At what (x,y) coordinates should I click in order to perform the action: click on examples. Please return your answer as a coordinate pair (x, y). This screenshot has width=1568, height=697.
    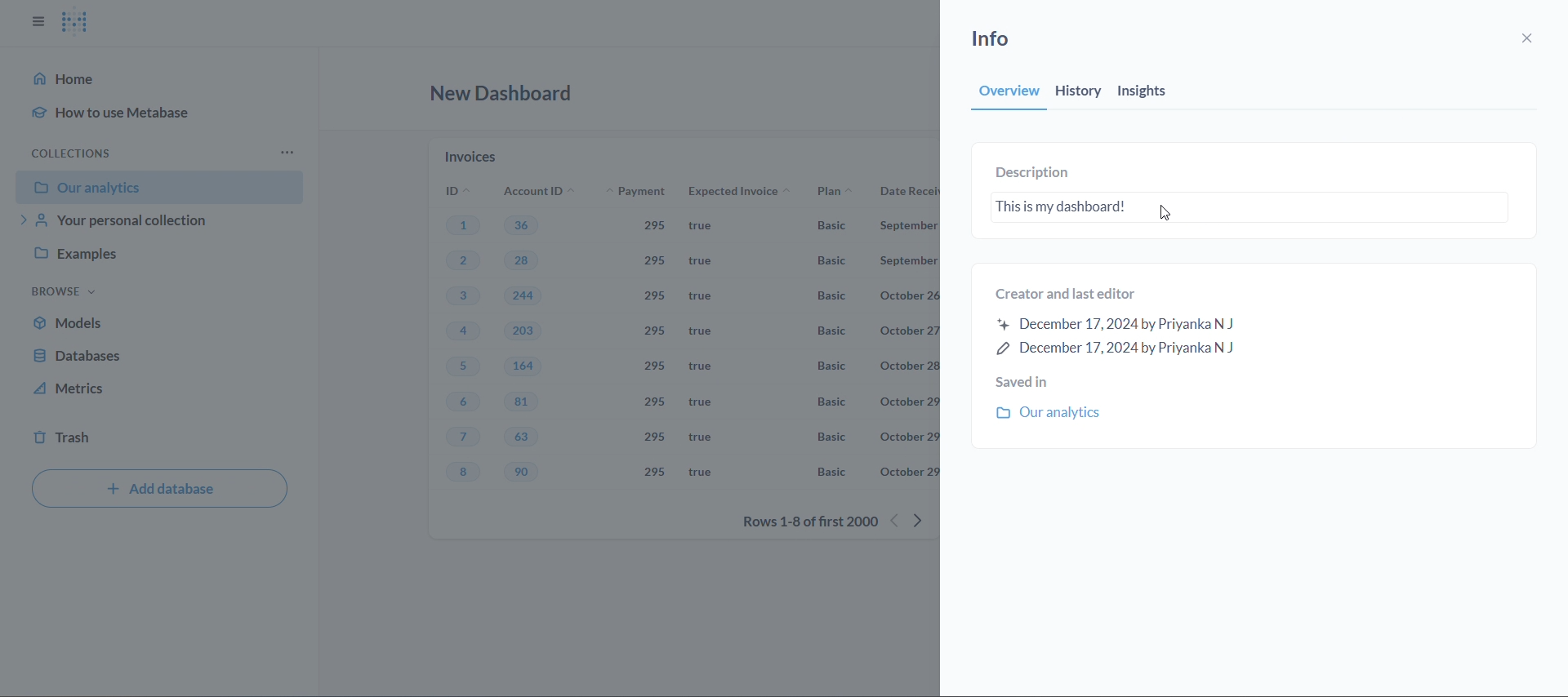
    Looking at the image, I should click on (154, 256).